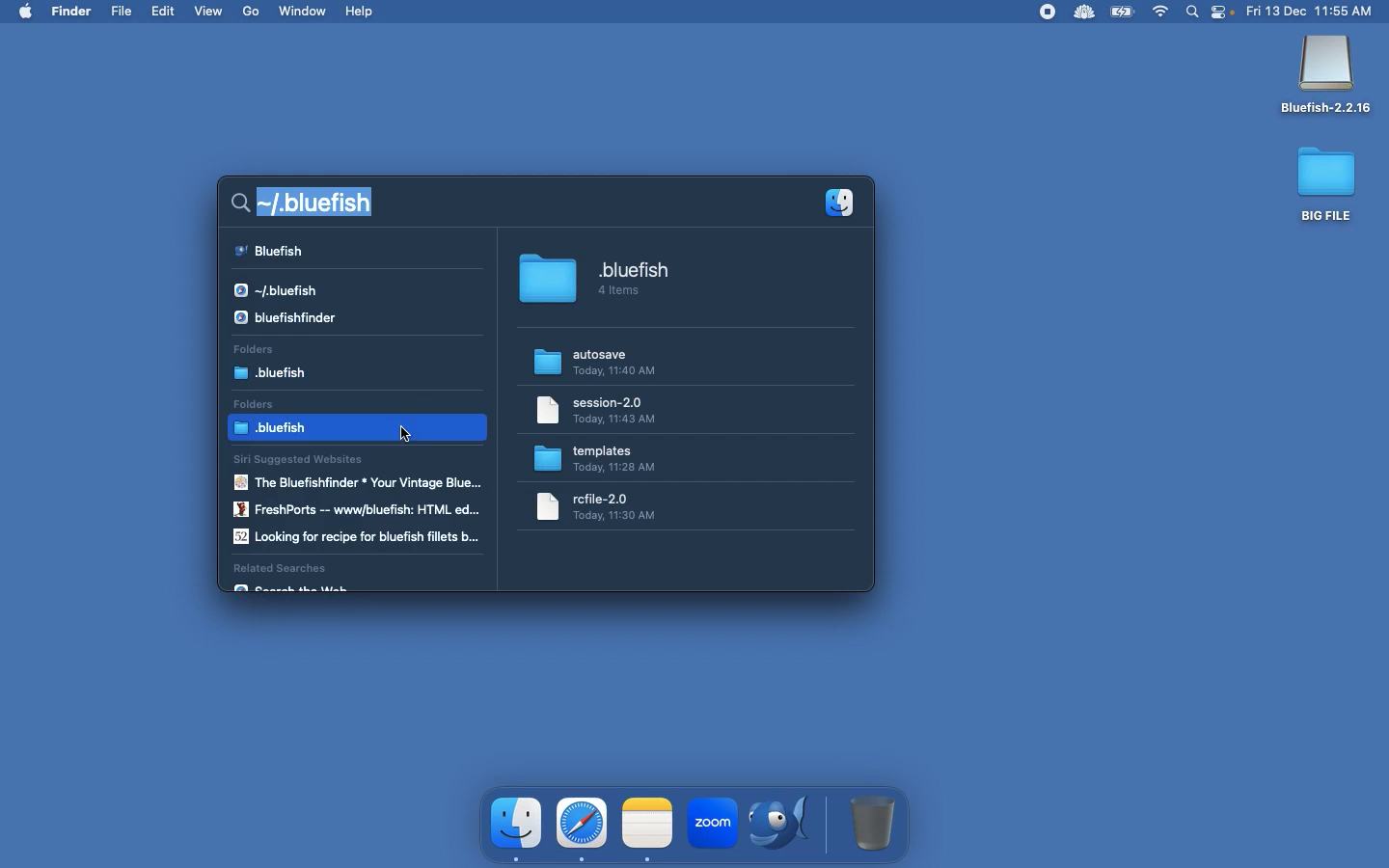 The image size is (1389, 868). I want to click on Search, so click(309, 198).